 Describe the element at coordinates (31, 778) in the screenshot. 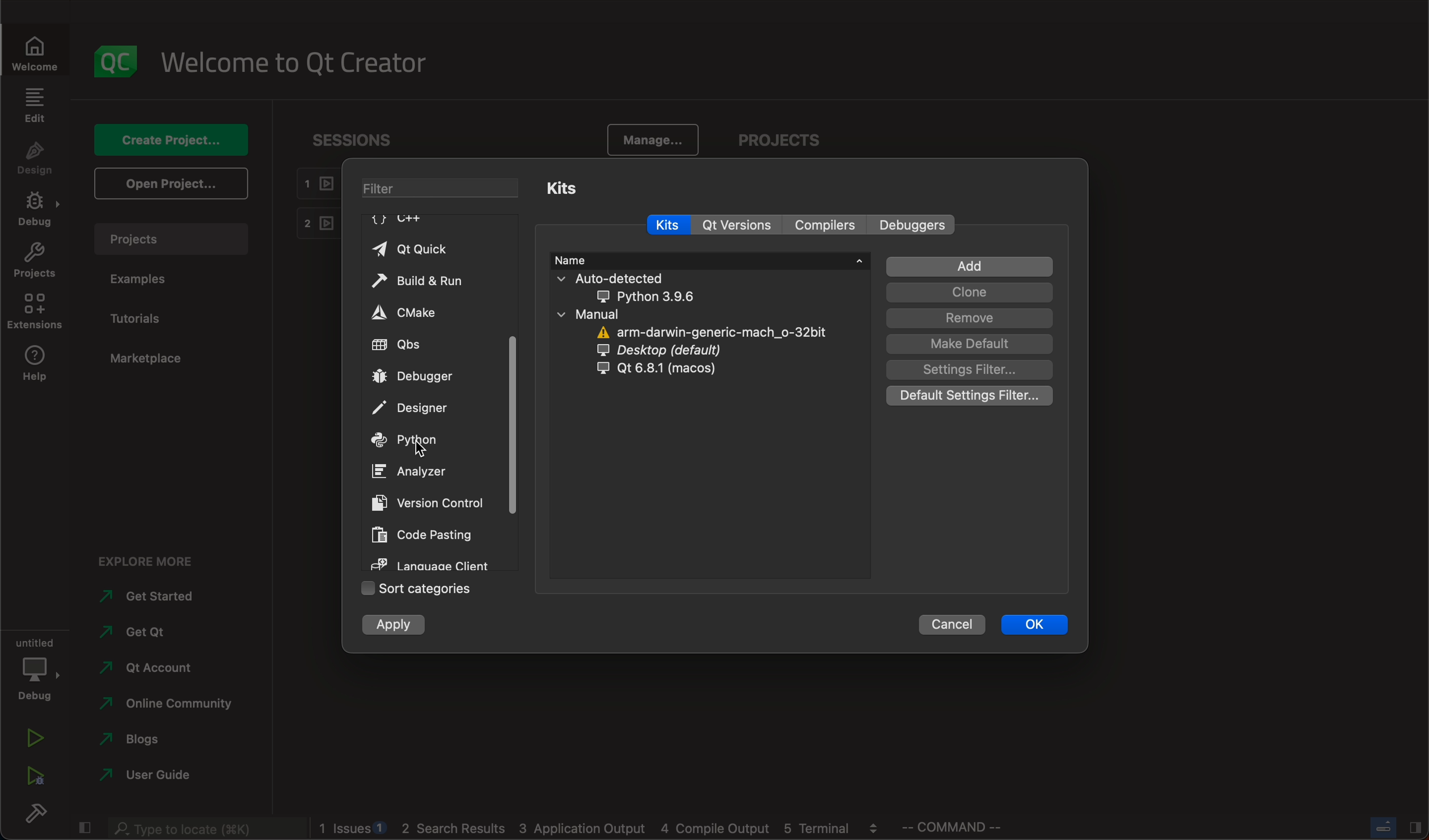

I see `run debug` at that location.